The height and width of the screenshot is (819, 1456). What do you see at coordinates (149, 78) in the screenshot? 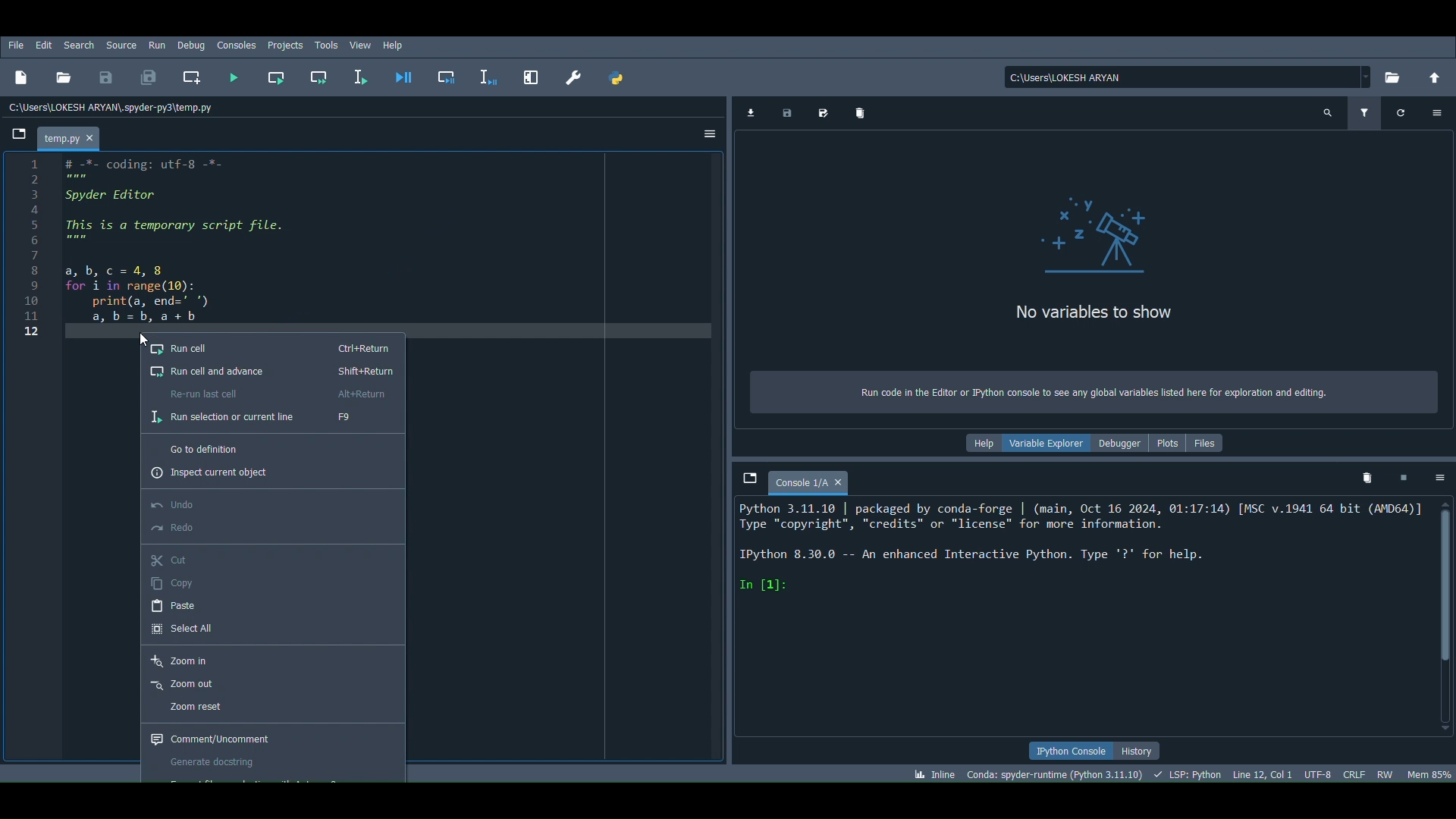
I see `Save all files (Ctrl + Alt + S)` at bounding box center [149, 78].